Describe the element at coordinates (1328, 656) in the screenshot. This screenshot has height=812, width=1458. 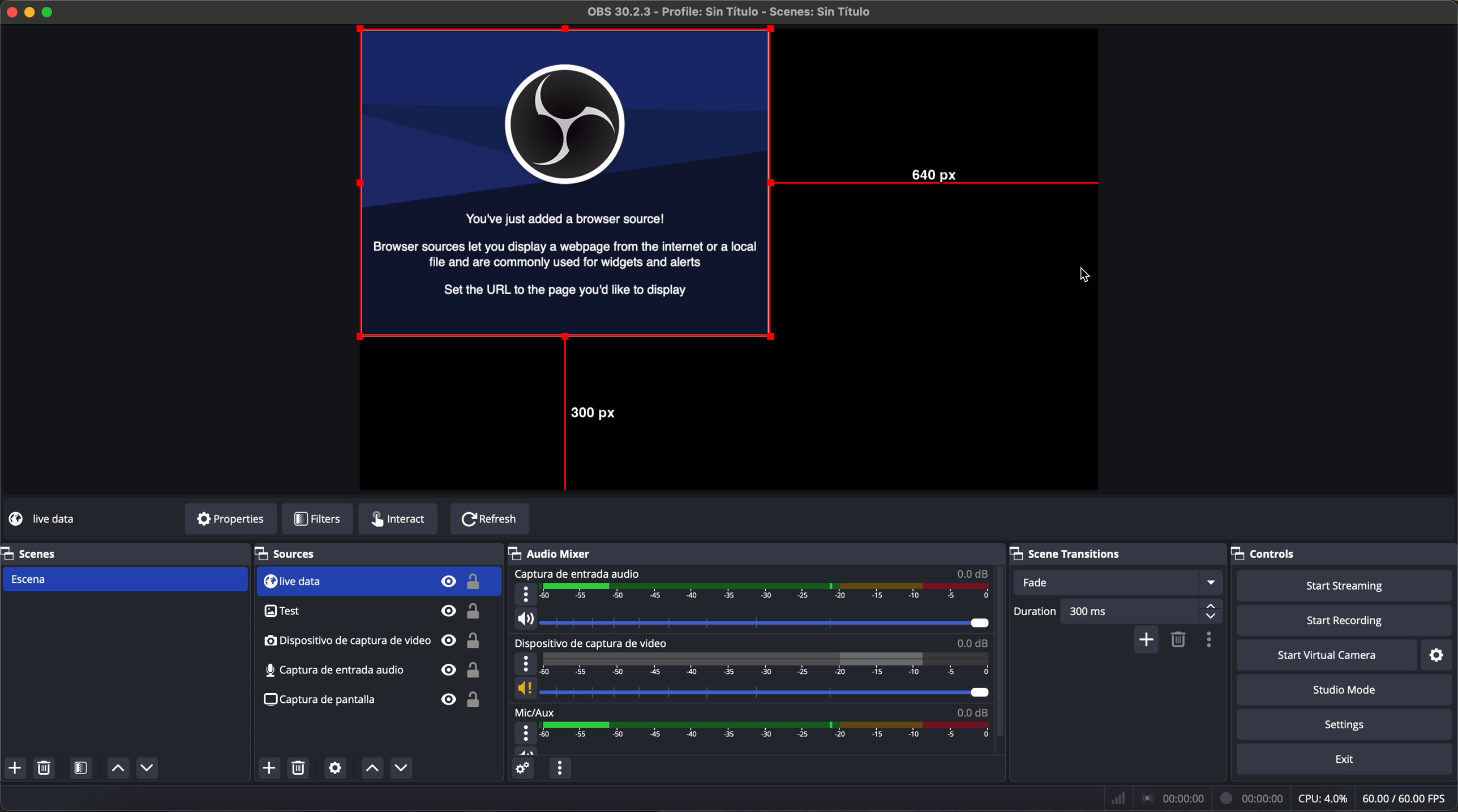
I see `start virtual camera` at that location.